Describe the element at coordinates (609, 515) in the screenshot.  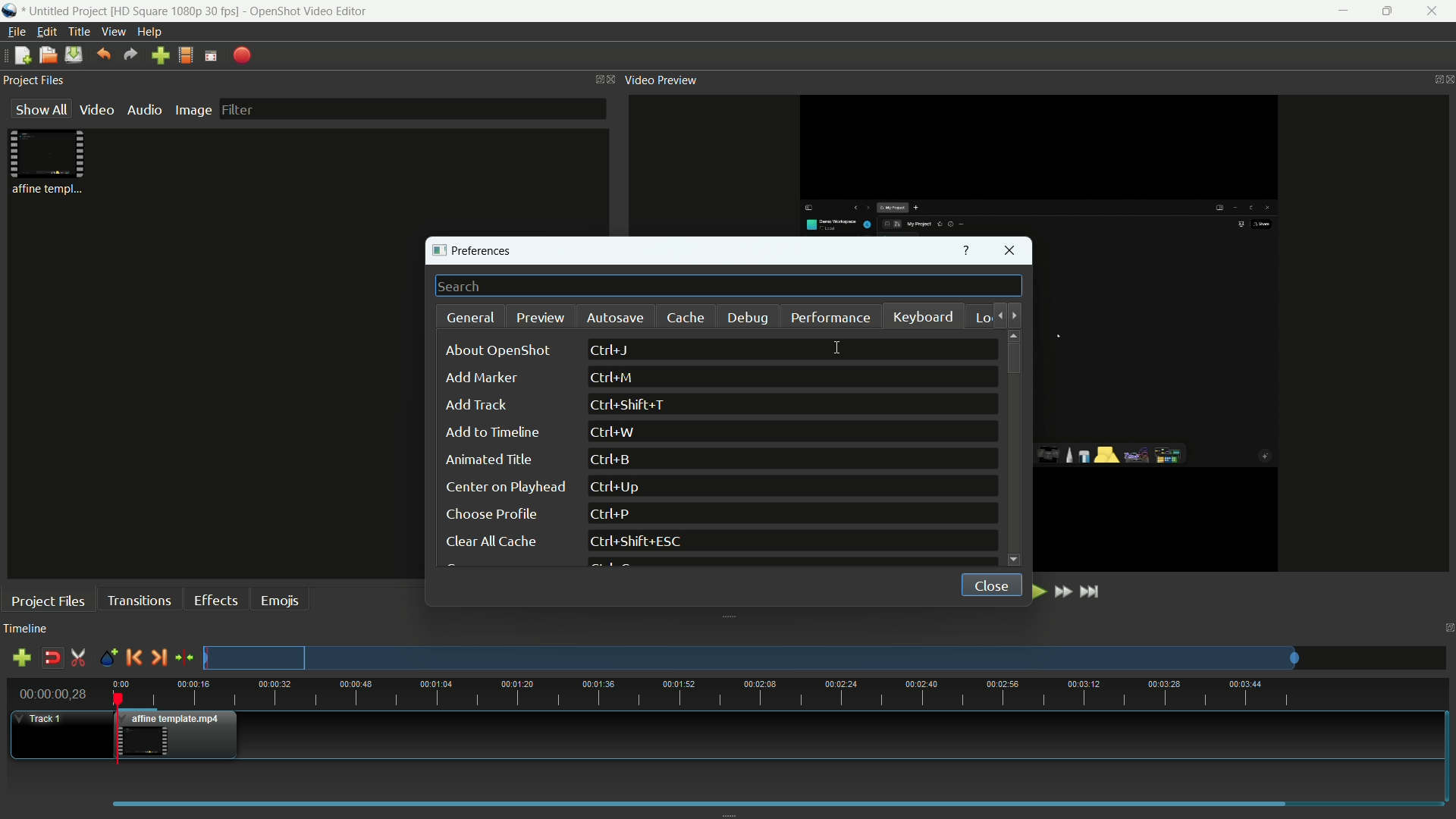
I see `keyboard shortcut` at that location.